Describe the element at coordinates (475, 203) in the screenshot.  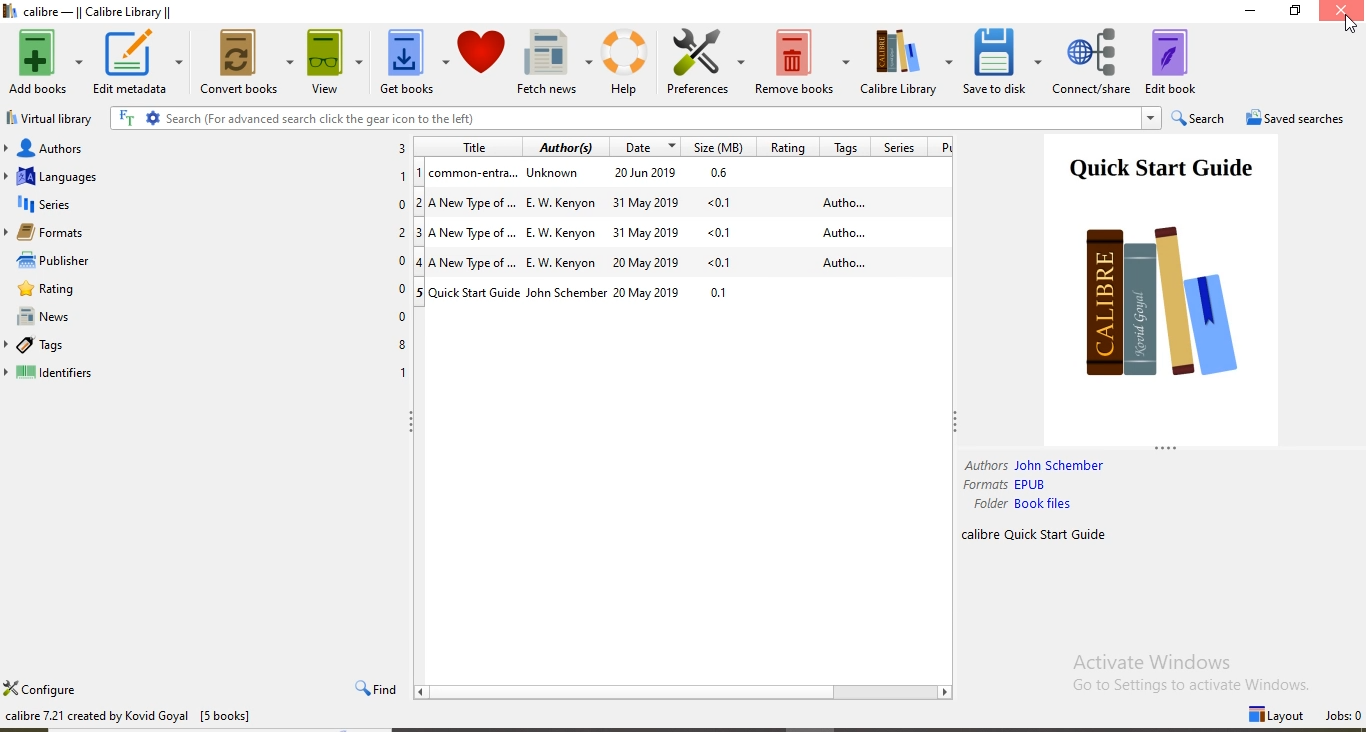
I see `A New Type of ....` at that location.